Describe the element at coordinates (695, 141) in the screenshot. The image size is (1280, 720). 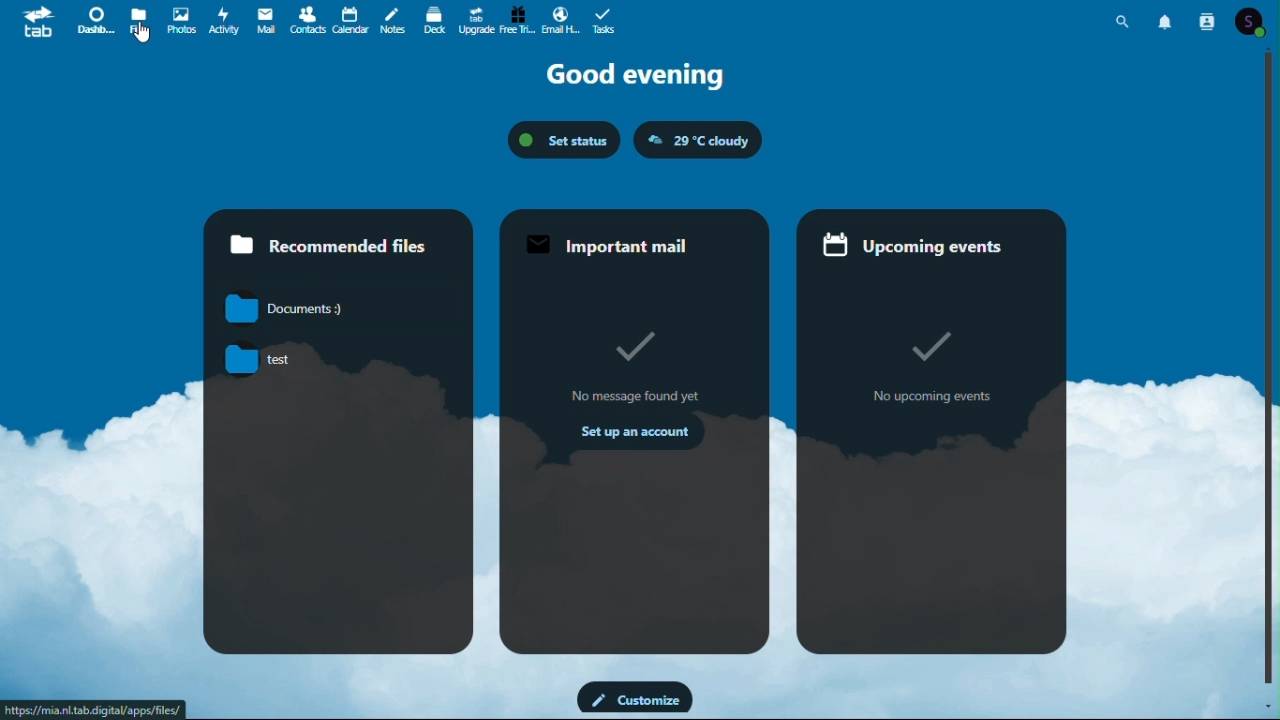
I see `weather` at that location.